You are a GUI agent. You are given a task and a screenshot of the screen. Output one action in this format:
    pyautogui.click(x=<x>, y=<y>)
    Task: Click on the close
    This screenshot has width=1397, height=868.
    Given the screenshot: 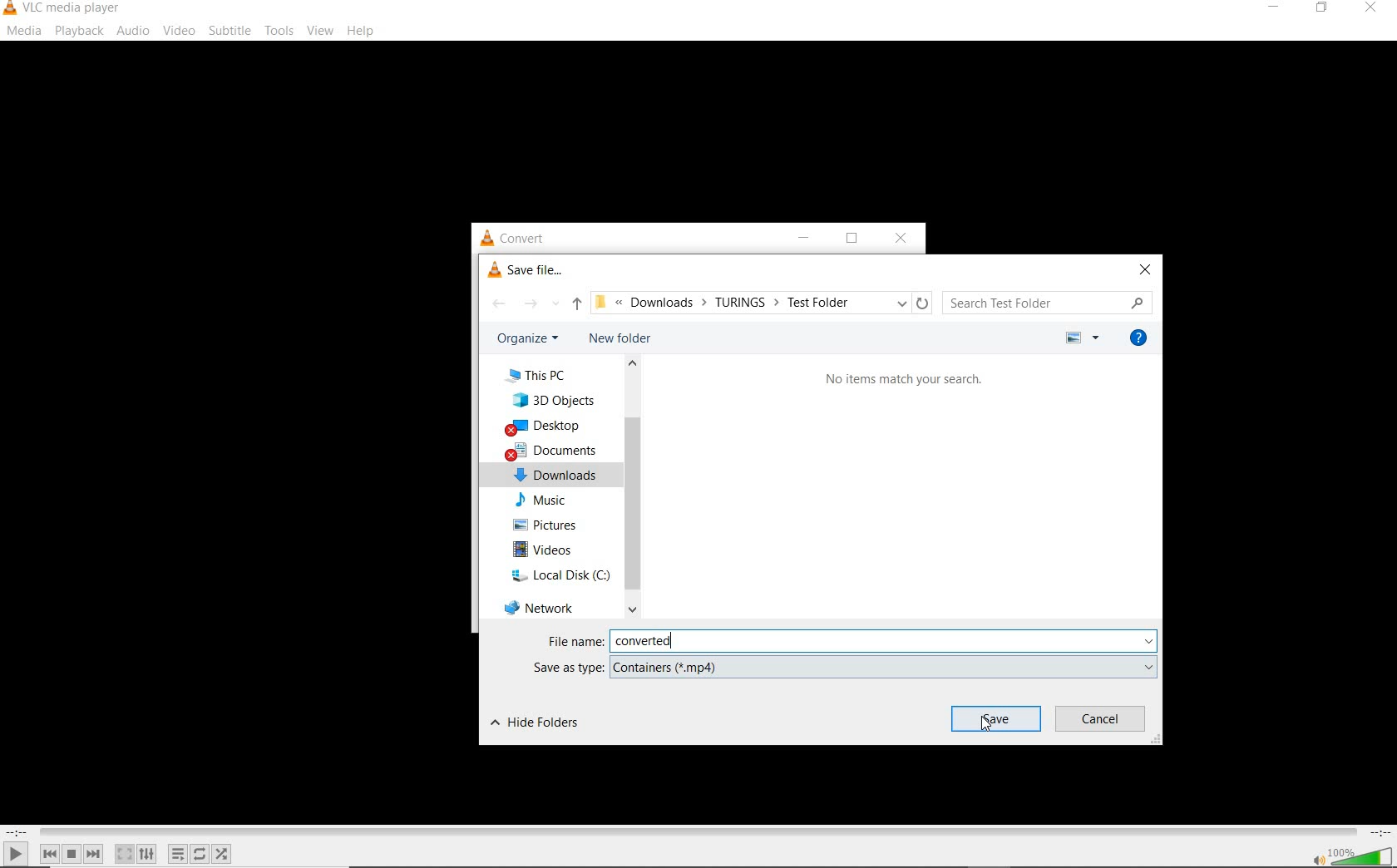 What is the action you would take?
    pyautogui.click(x=900, y=237)
    